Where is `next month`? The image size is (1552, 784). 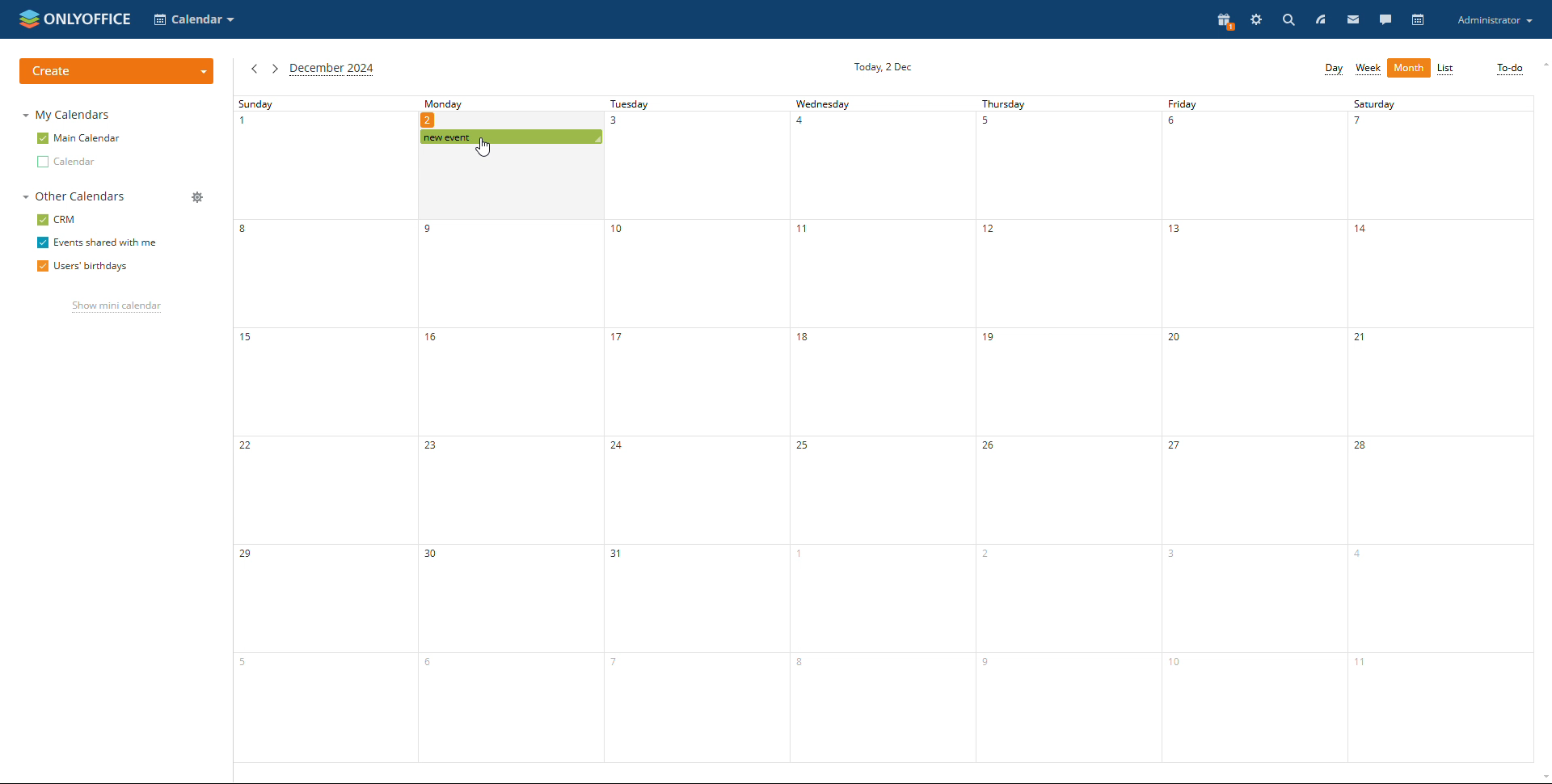
next month is located at coordinates (273, 70).